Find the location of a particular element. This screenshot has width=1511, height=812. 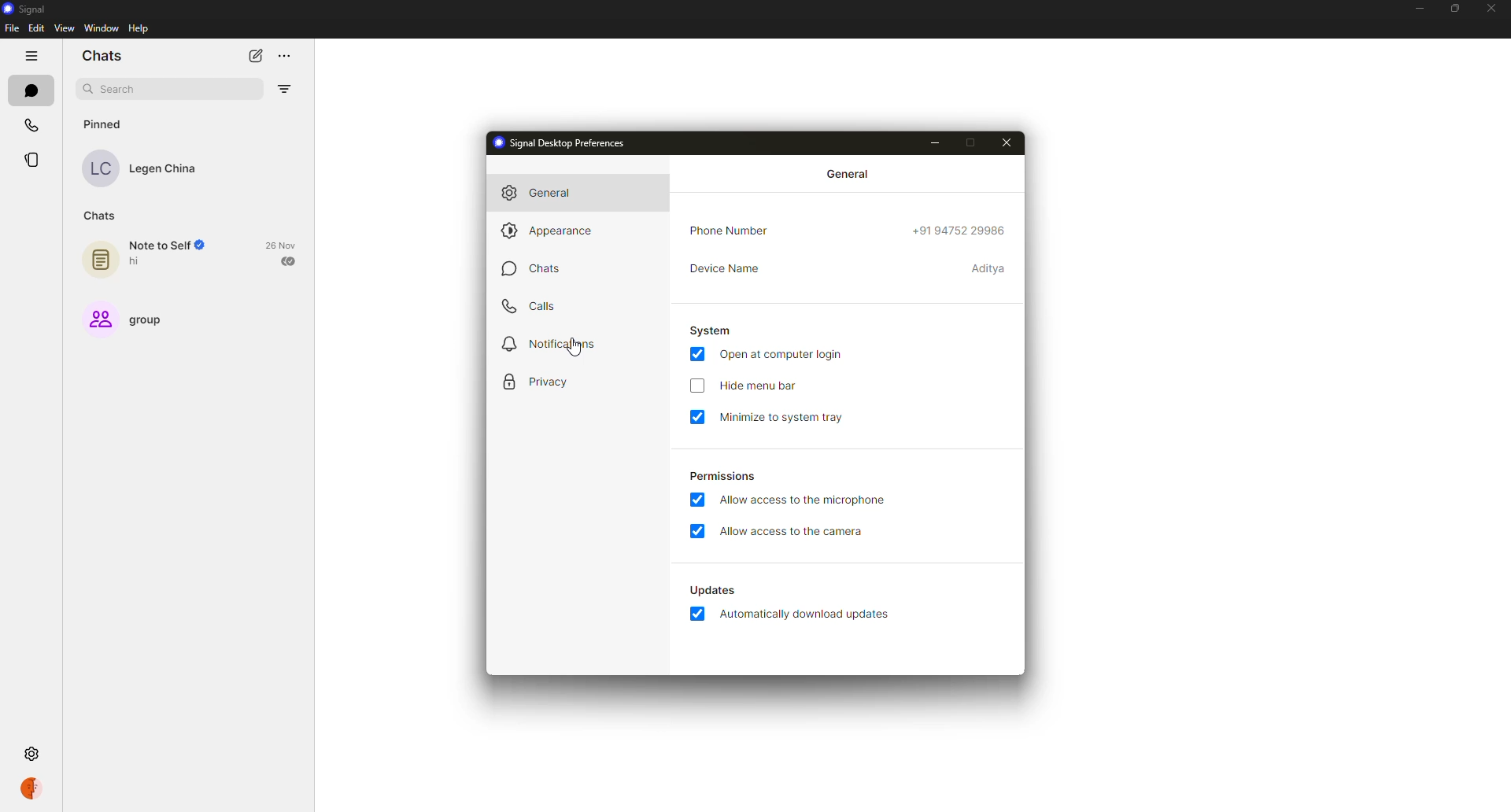

pinned is located at coordinates (105, 124).